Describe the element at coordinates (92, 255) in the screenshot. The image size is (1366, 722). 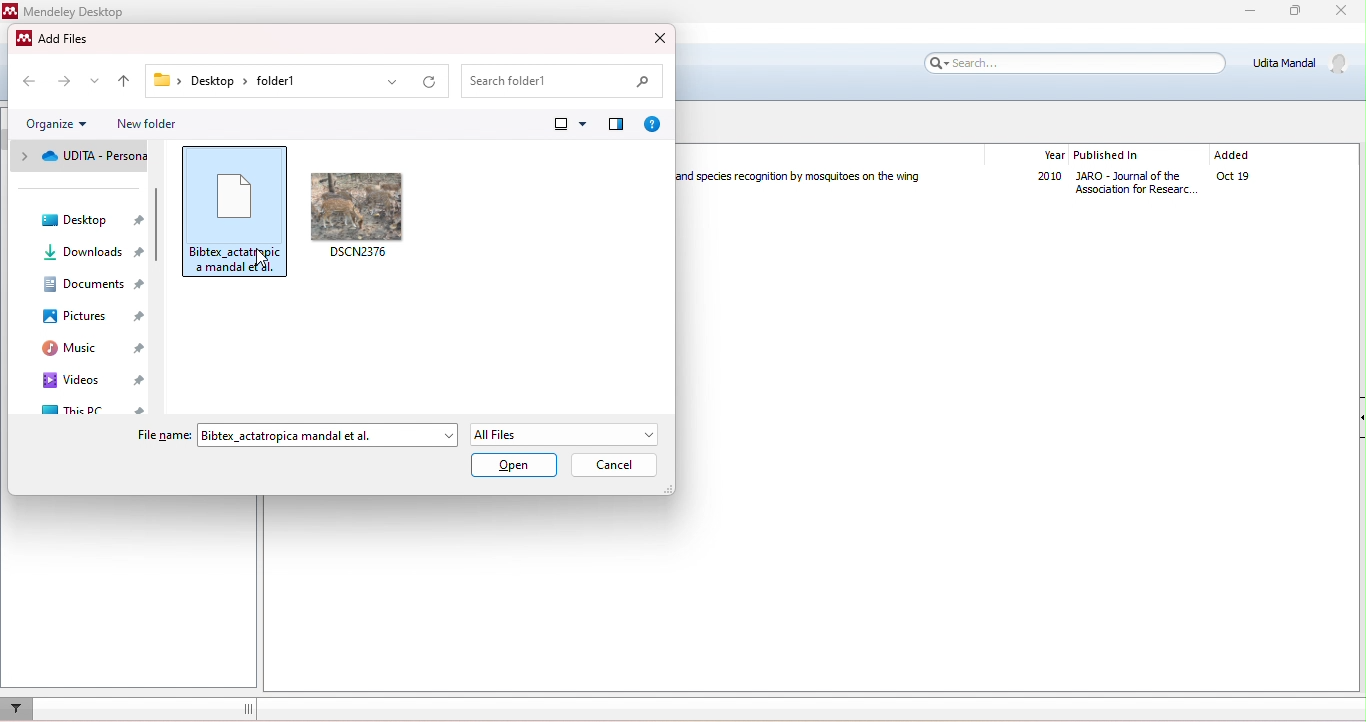
I see `downloads` at that location.